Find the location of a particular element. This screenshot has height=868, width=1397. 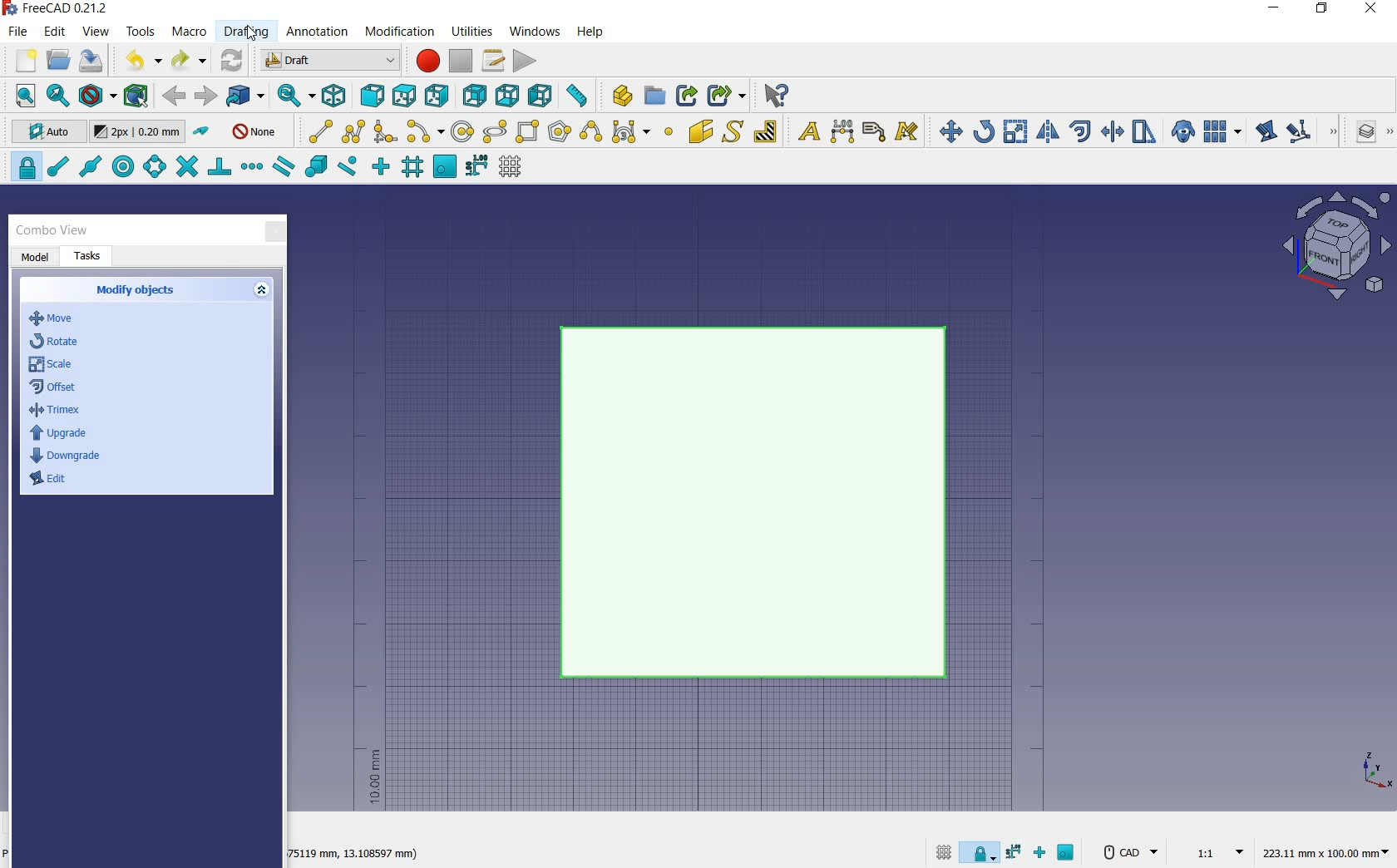

rectangle is located at coordinates (529, 133).